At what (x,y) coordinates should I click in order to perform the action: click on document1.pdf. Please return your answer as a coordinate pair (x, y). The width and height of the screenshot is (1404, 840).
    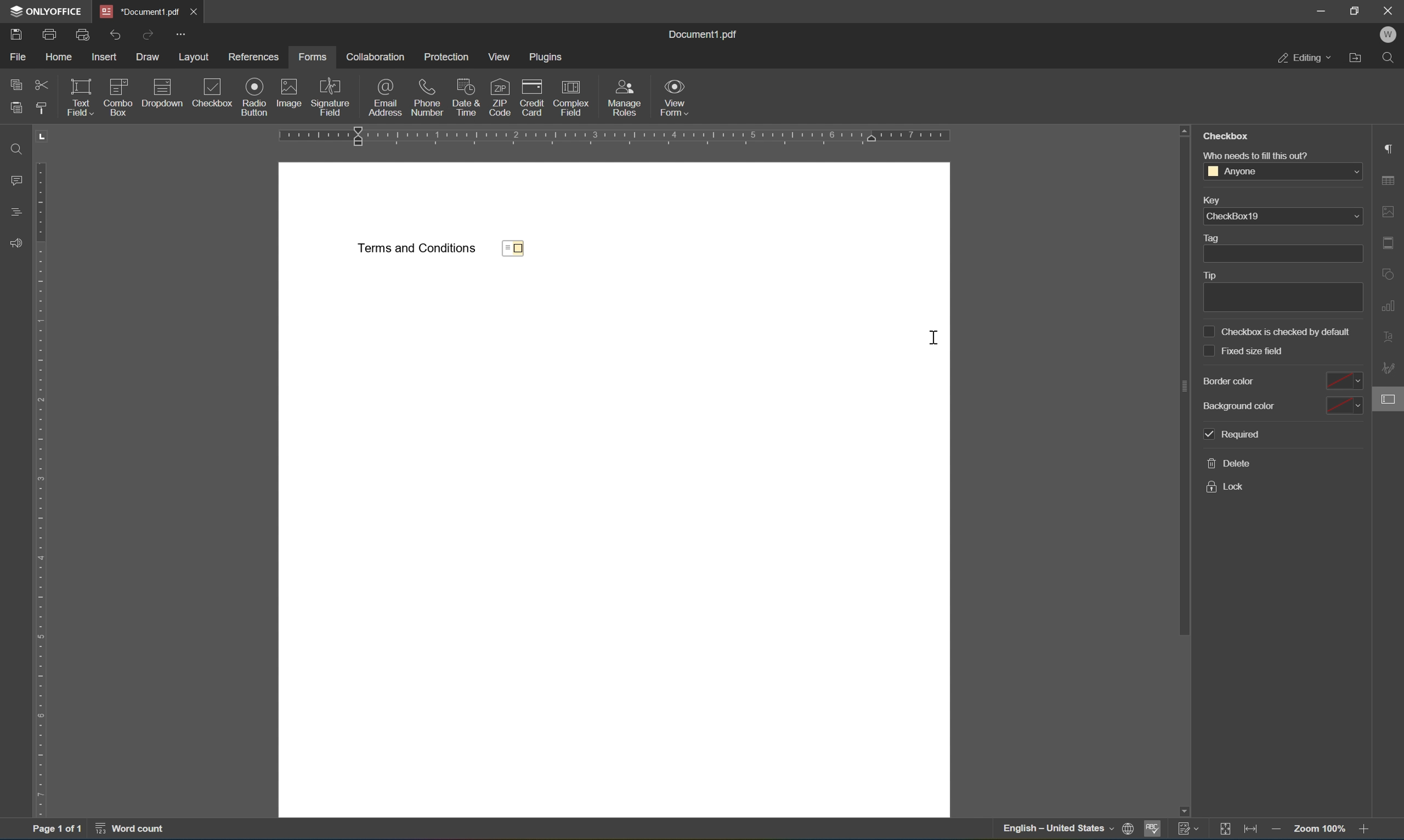
    Looking at the image, I should click on (707, 36).